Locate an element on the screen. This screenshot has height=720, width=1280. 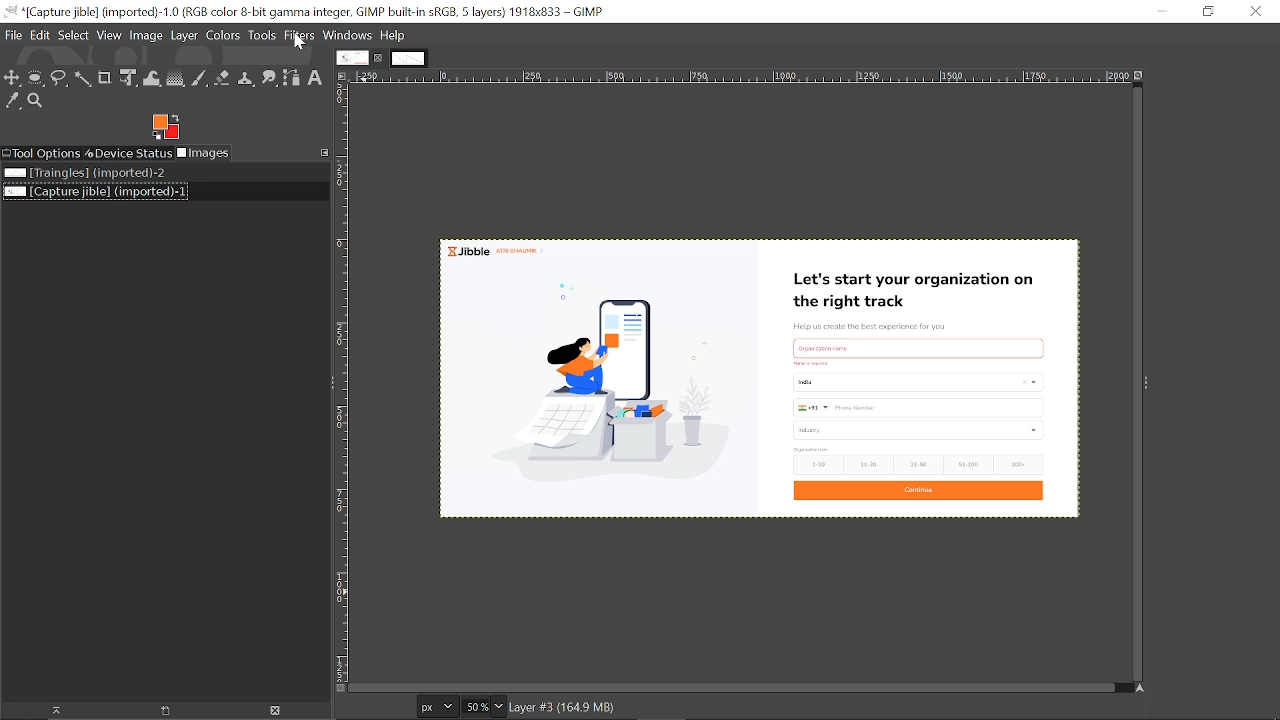
Color picker tool is located at coordinates (13, 102).